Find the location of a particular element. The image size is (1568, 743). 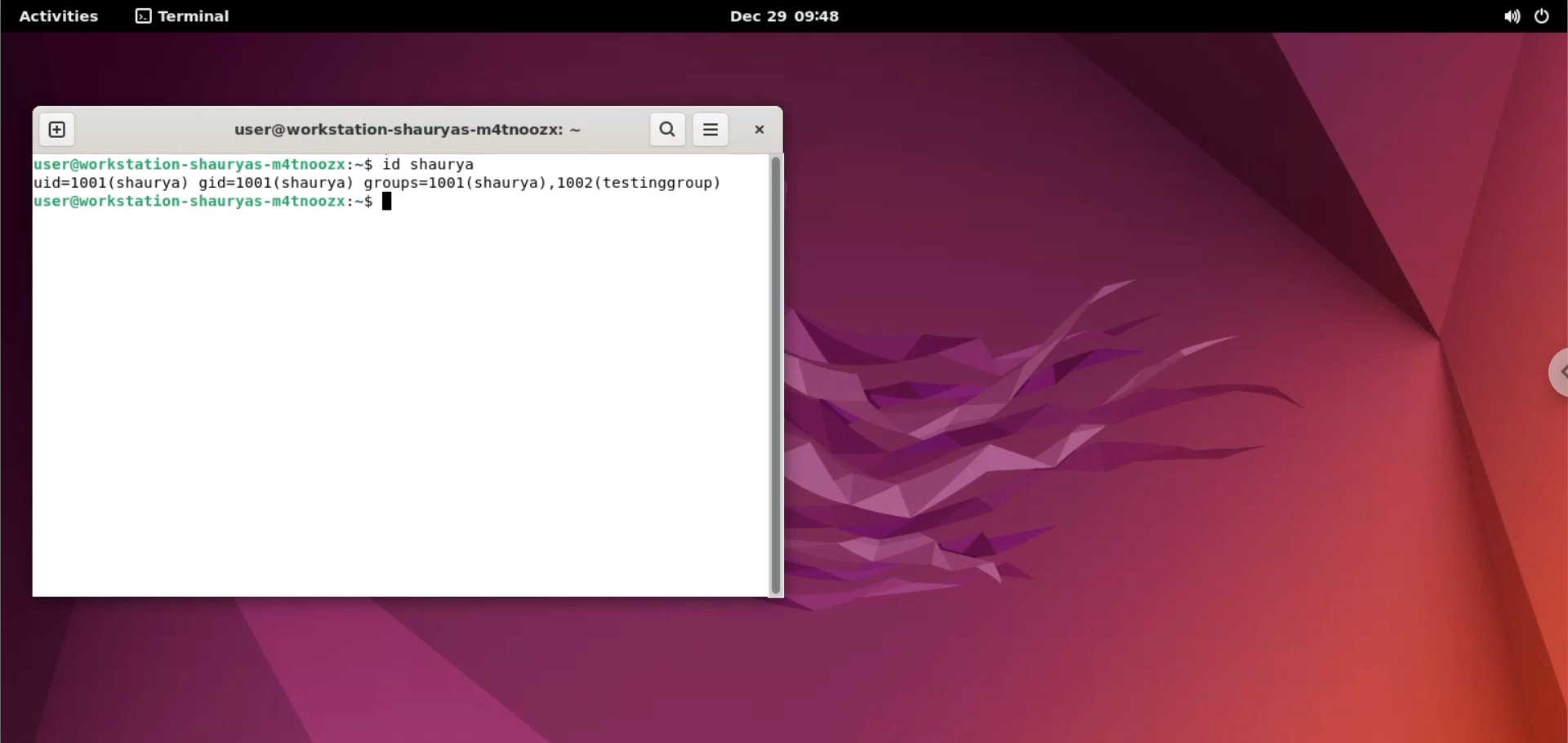

id shaurya is located at coordinates (450, 162).